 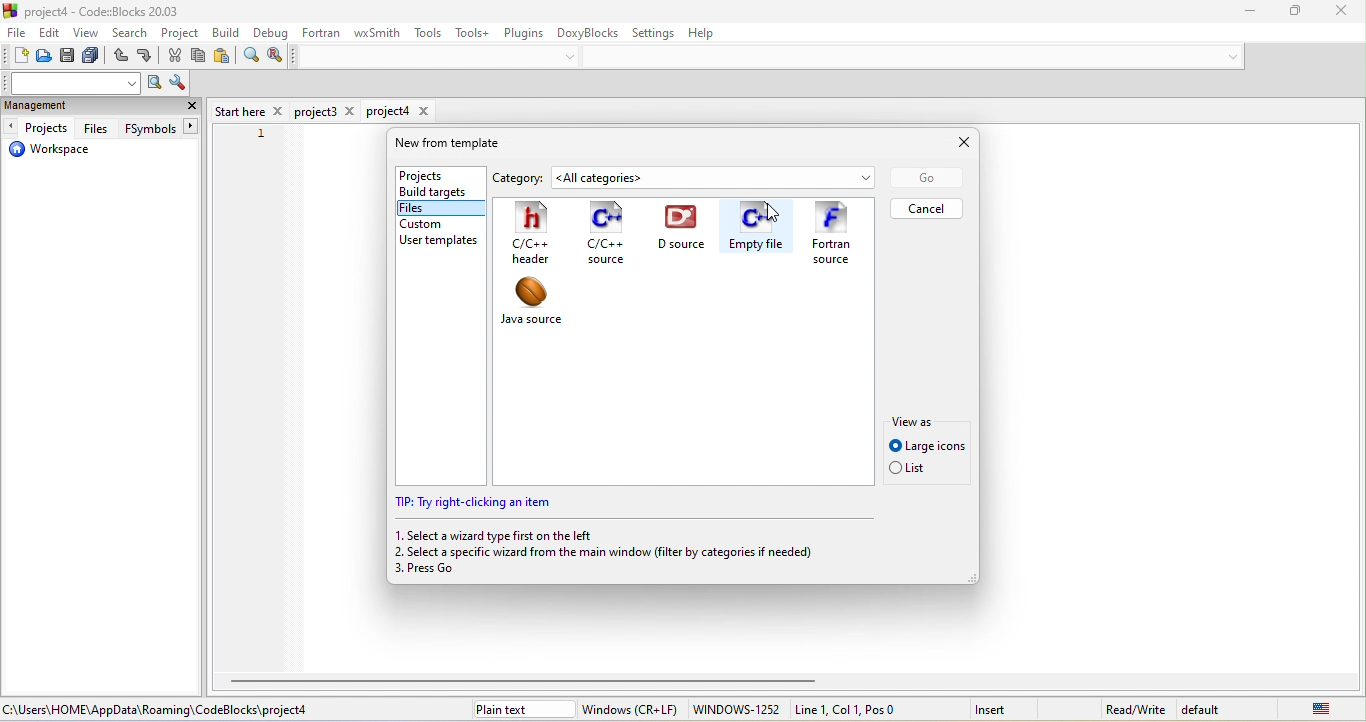 What do you see at coordinates (444, 240) in the screenshot?
I see `user templates` at bounding box center [444, 240].